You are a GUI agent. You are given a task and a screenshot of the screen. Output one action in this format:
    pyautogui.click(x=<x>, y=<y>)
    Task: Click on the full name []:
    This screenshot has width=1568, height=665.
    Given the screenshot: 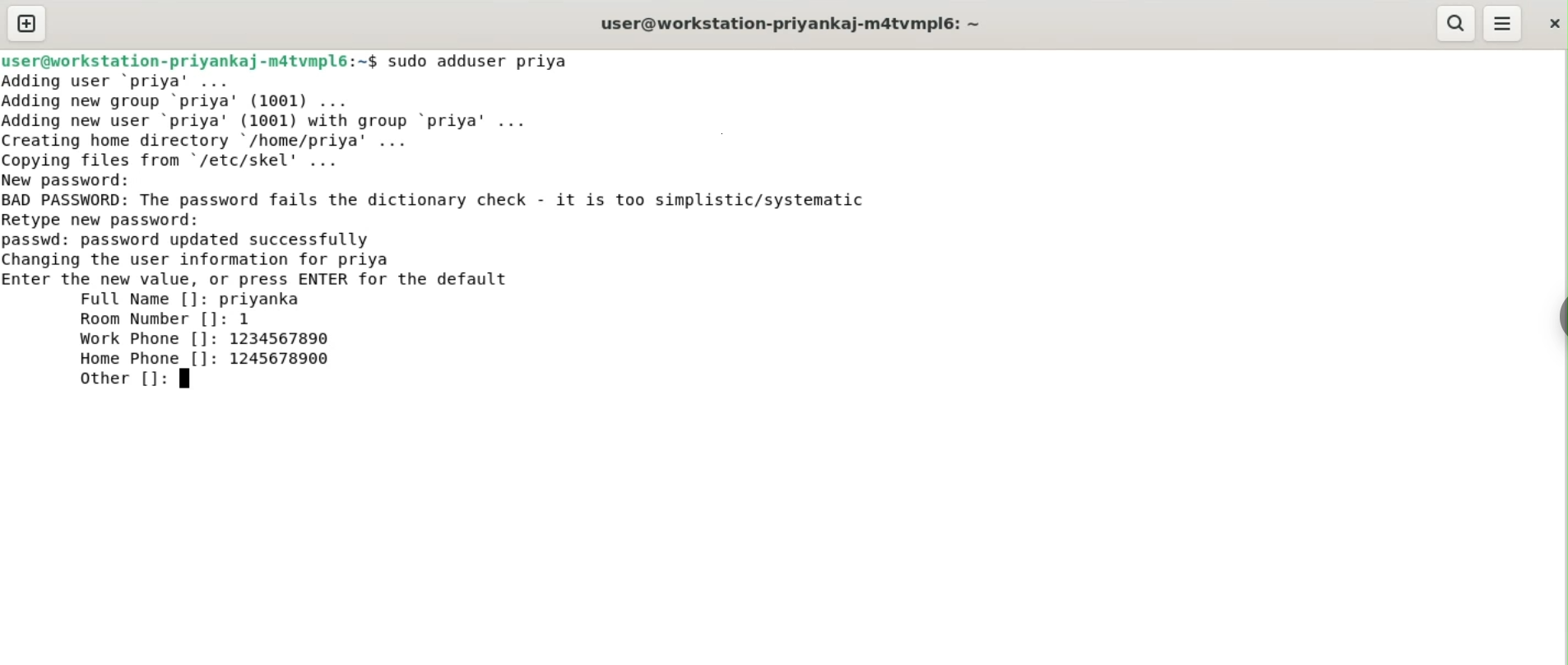 What is the action you would take?
    pyautogui.click(x=140, y=300)
    